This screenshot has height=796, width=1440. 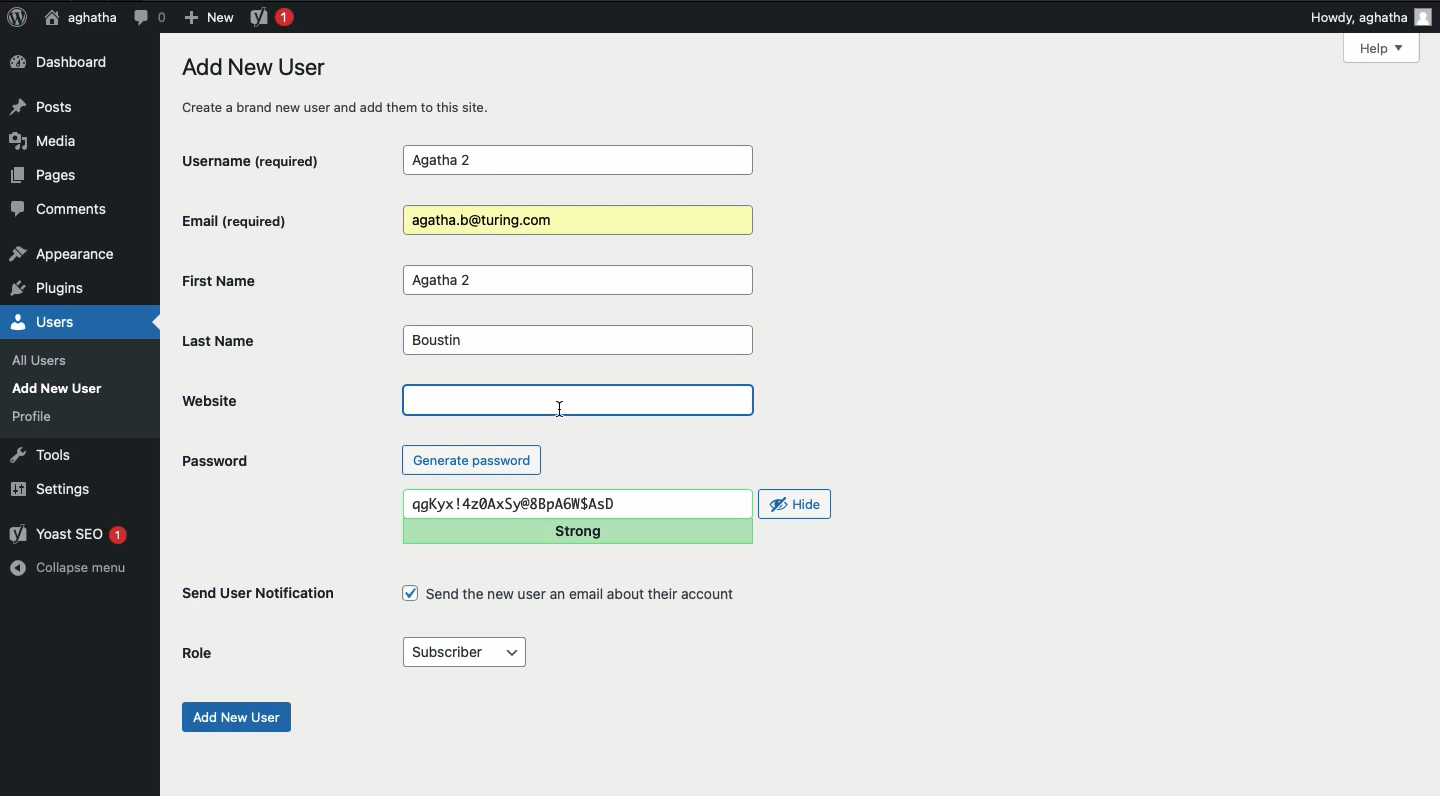 What do you see at coordinates (577, 281) in the screenshot?
I see `Agatha 2` at bounding box center [577, 281].